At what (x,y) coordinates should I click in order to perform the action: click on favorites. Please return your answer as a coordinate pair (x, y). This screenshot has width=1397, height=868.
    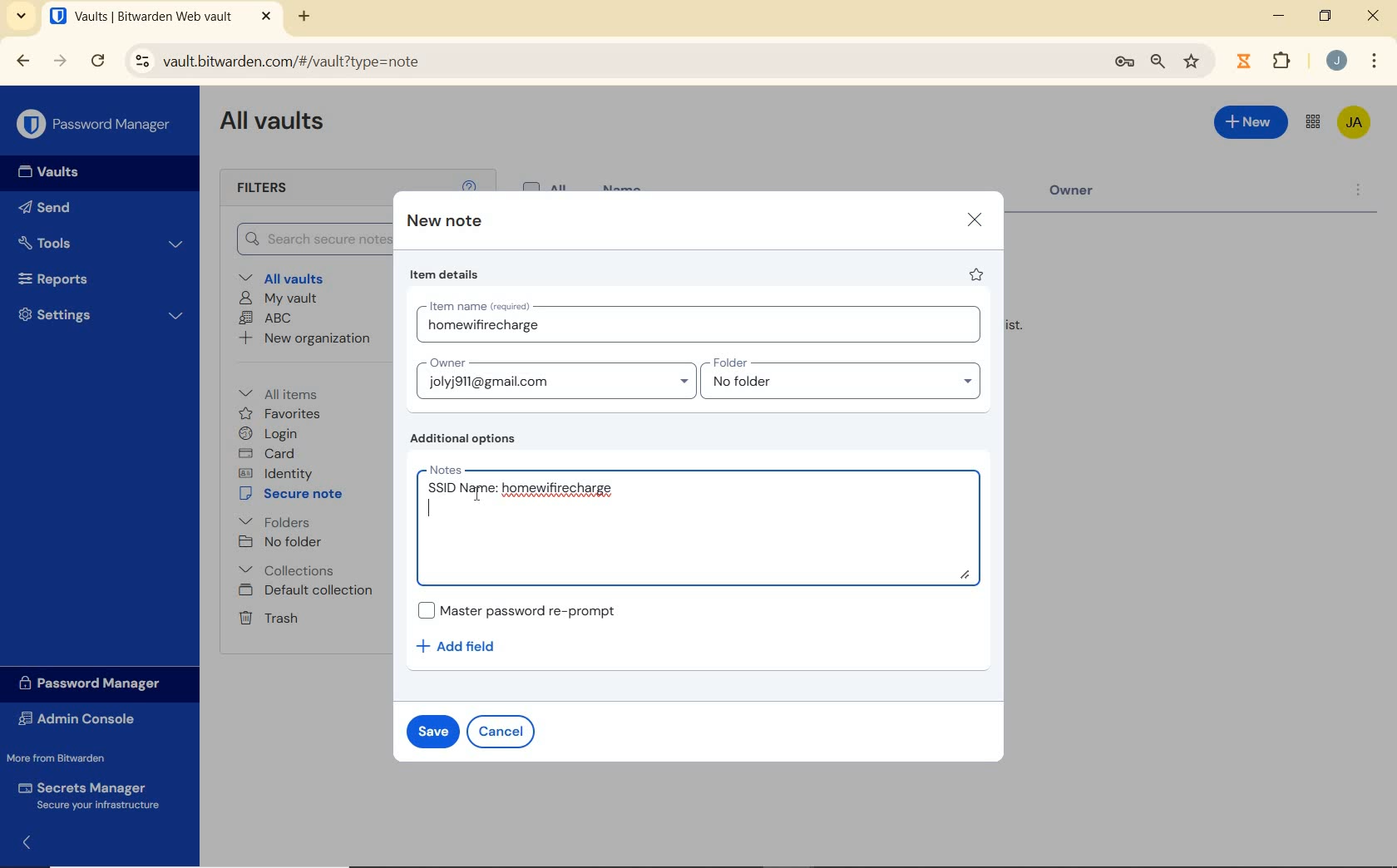
    Looking at the image, I should click on (280, 414).